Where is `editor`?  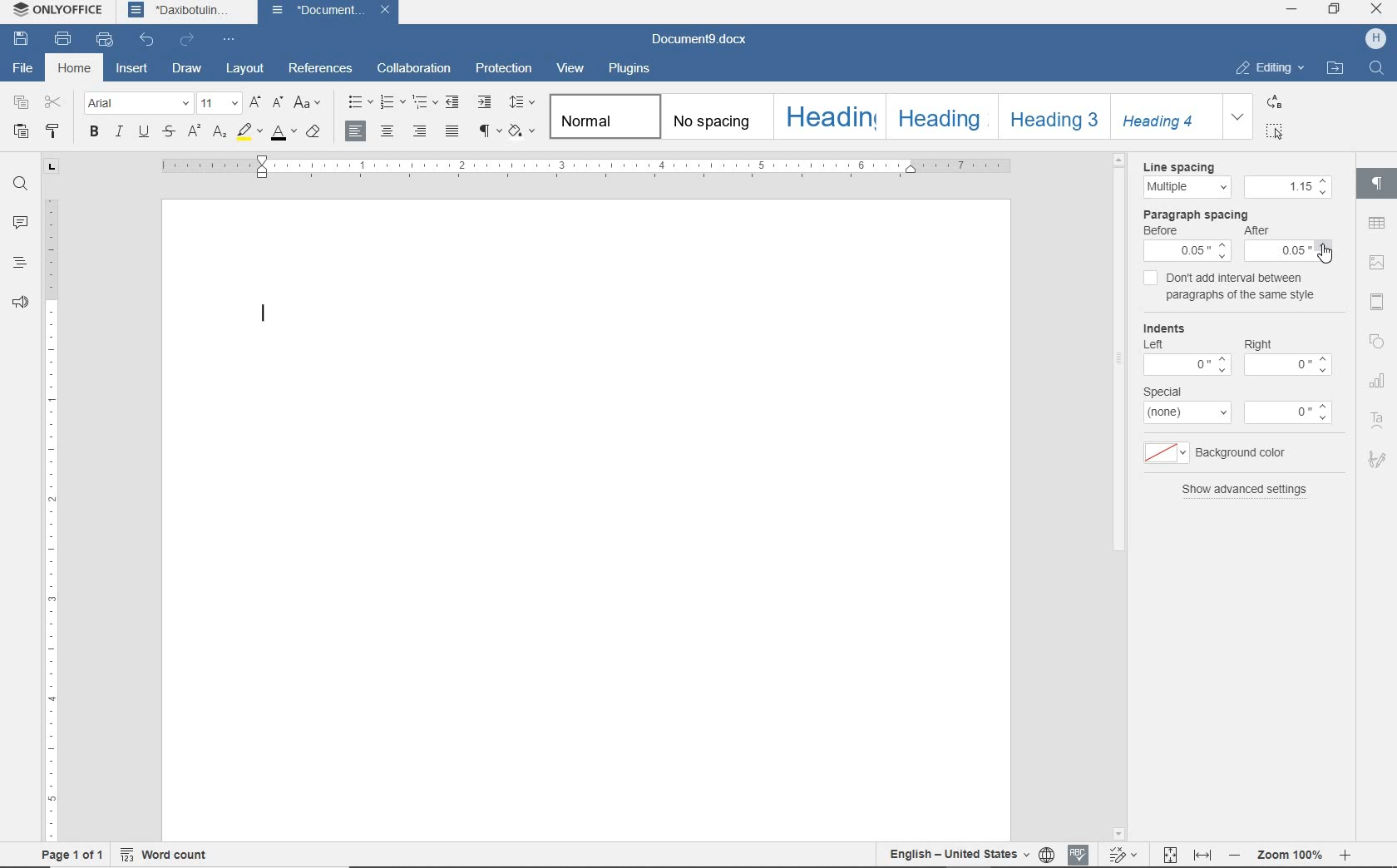
editor is located at coordinates (266, 309).